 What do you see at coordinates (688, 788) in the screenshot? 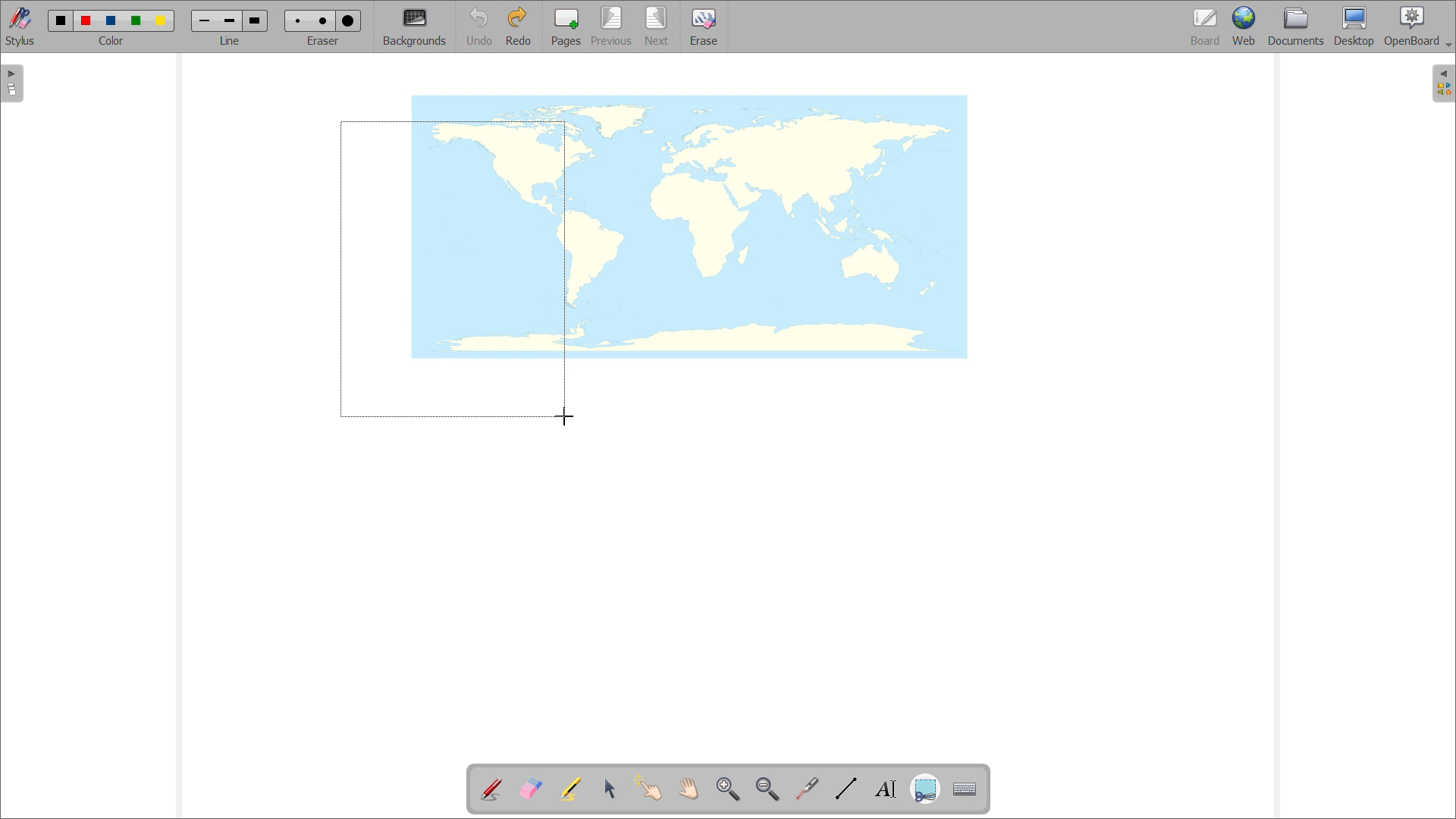
I see `scroll page` at bounding box center [688, 788].